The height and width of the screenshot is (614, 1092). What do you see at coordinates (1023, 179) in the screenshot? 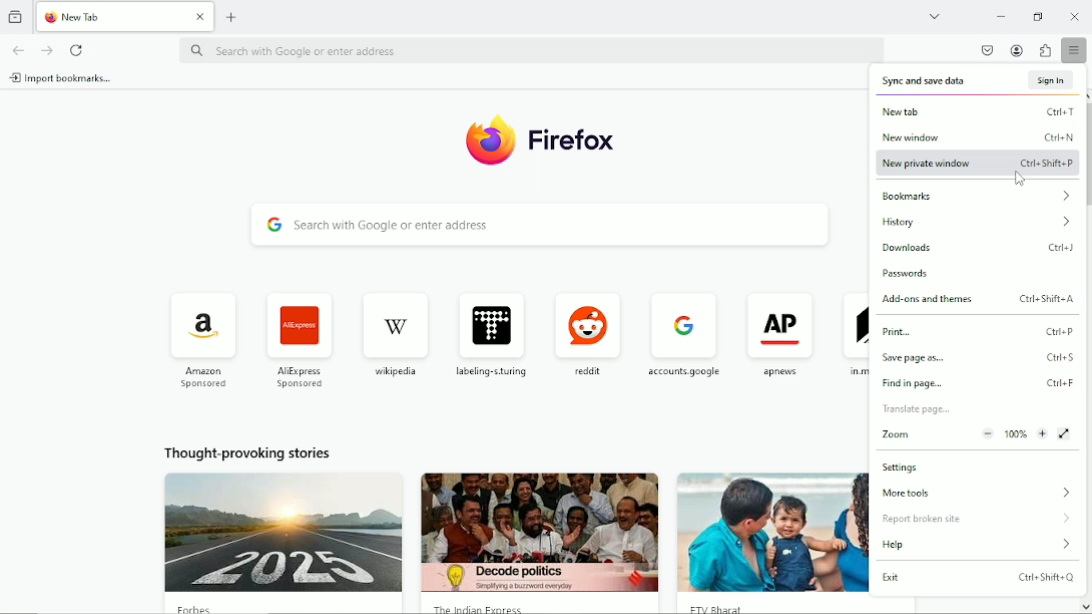
I see `cursor` at bounding box center [1023, 179].